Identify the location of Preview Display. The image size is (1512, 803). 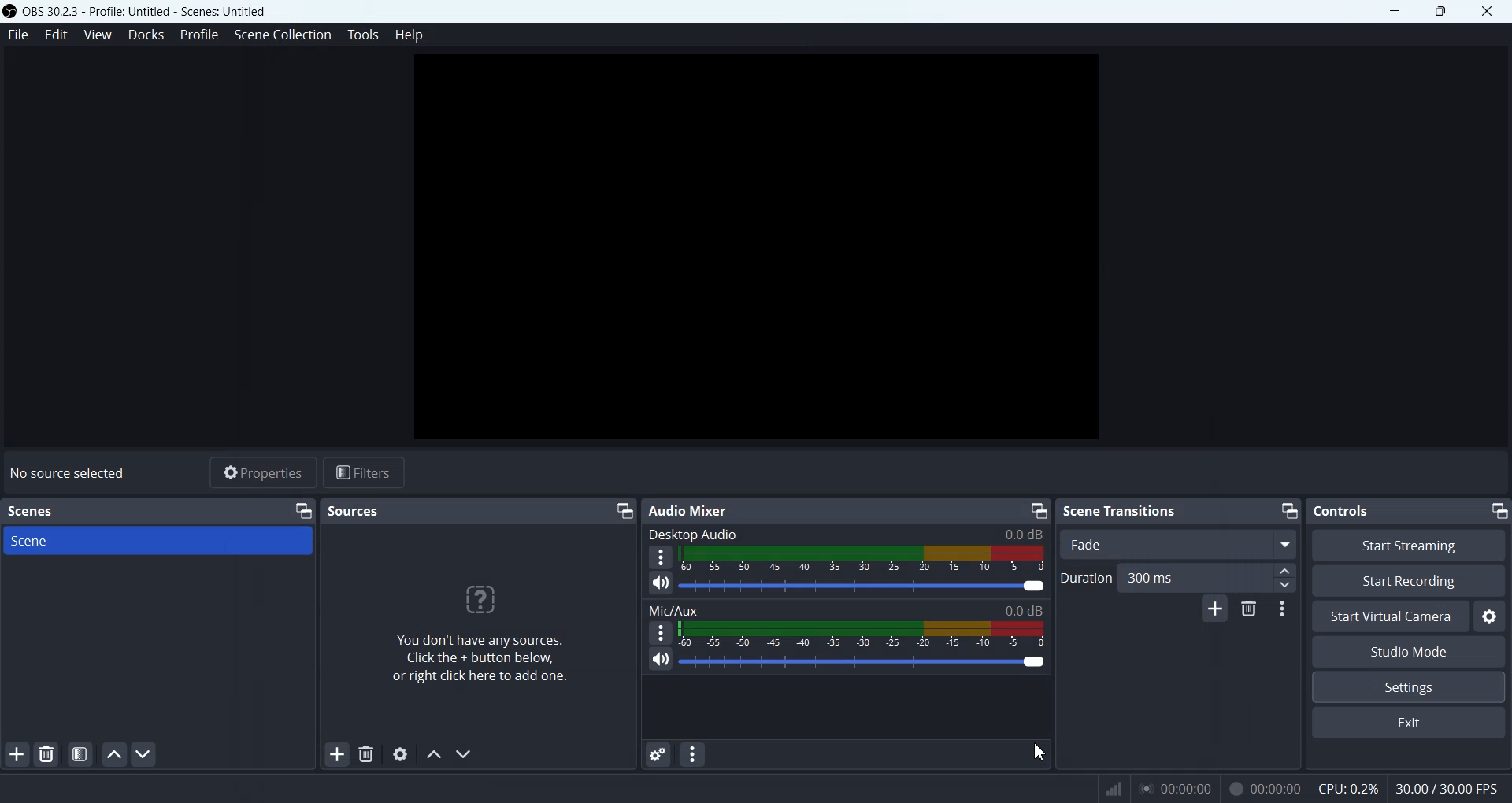
(756, 250).